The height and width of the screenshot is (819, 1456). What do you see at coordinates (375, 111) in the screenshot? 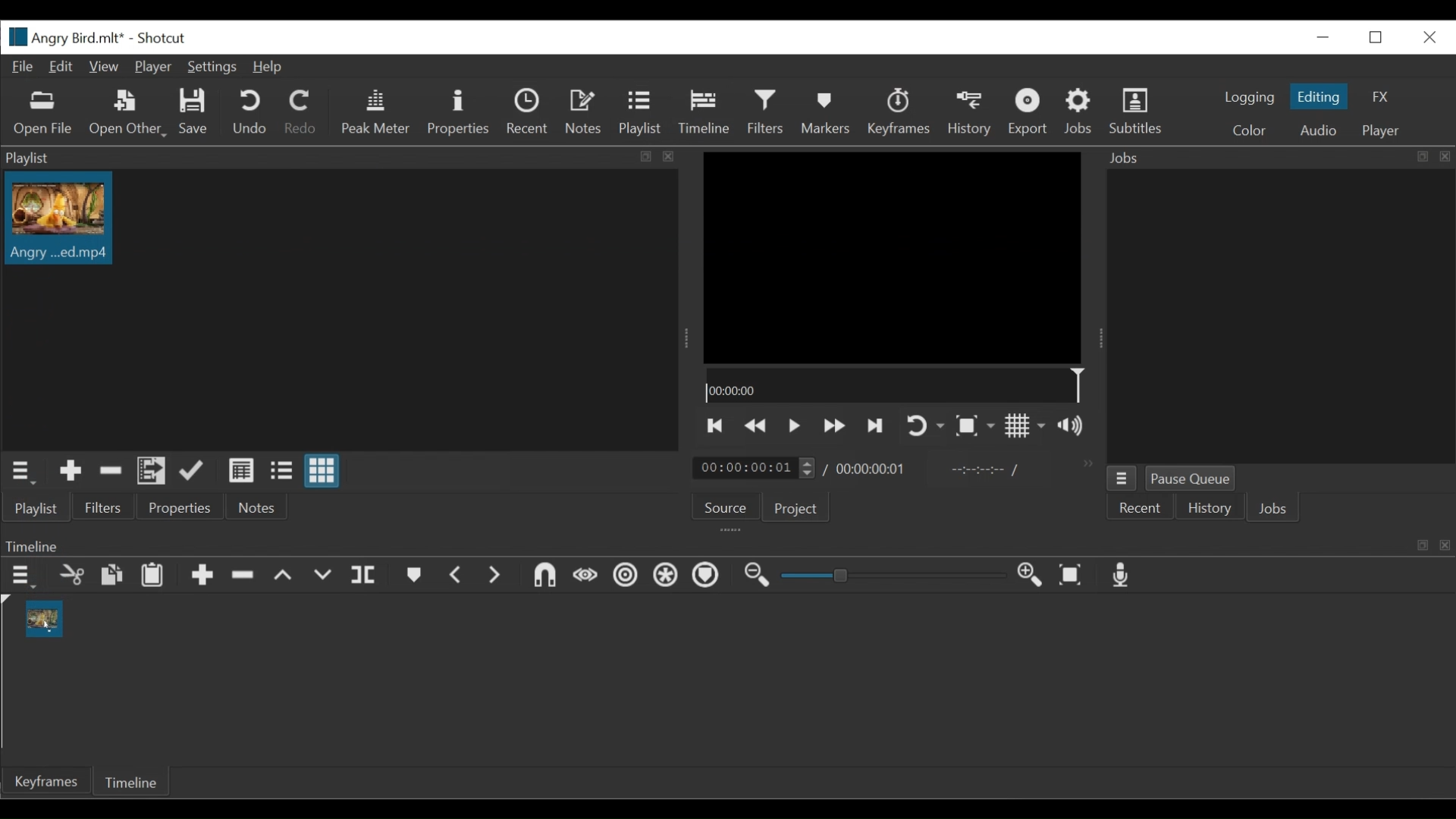
I see `Peak Meter` at bounding box center [375, 111].